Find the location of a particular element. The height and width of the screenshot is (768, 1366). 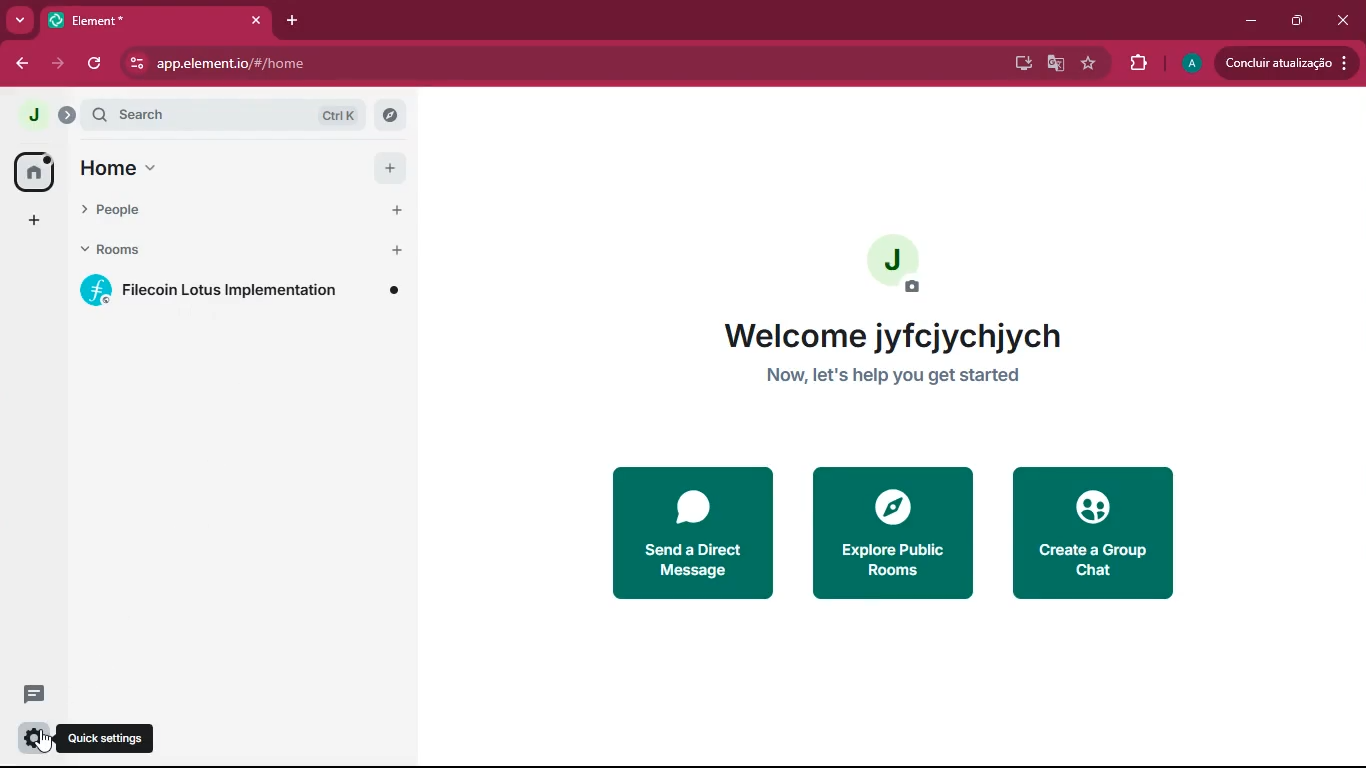

update is located at coordinates (1290, 62).